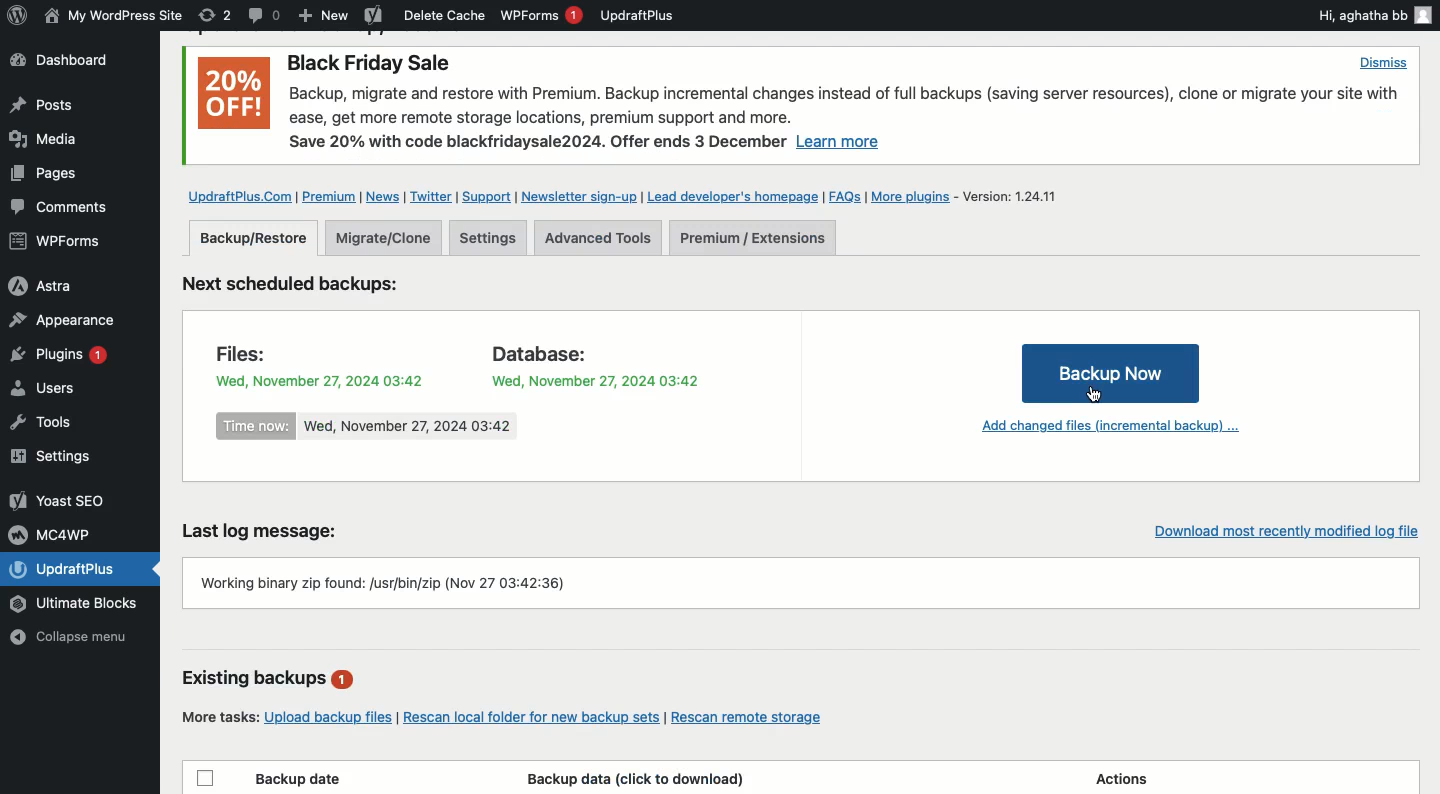  I want to click on Media, so click(46, 138).